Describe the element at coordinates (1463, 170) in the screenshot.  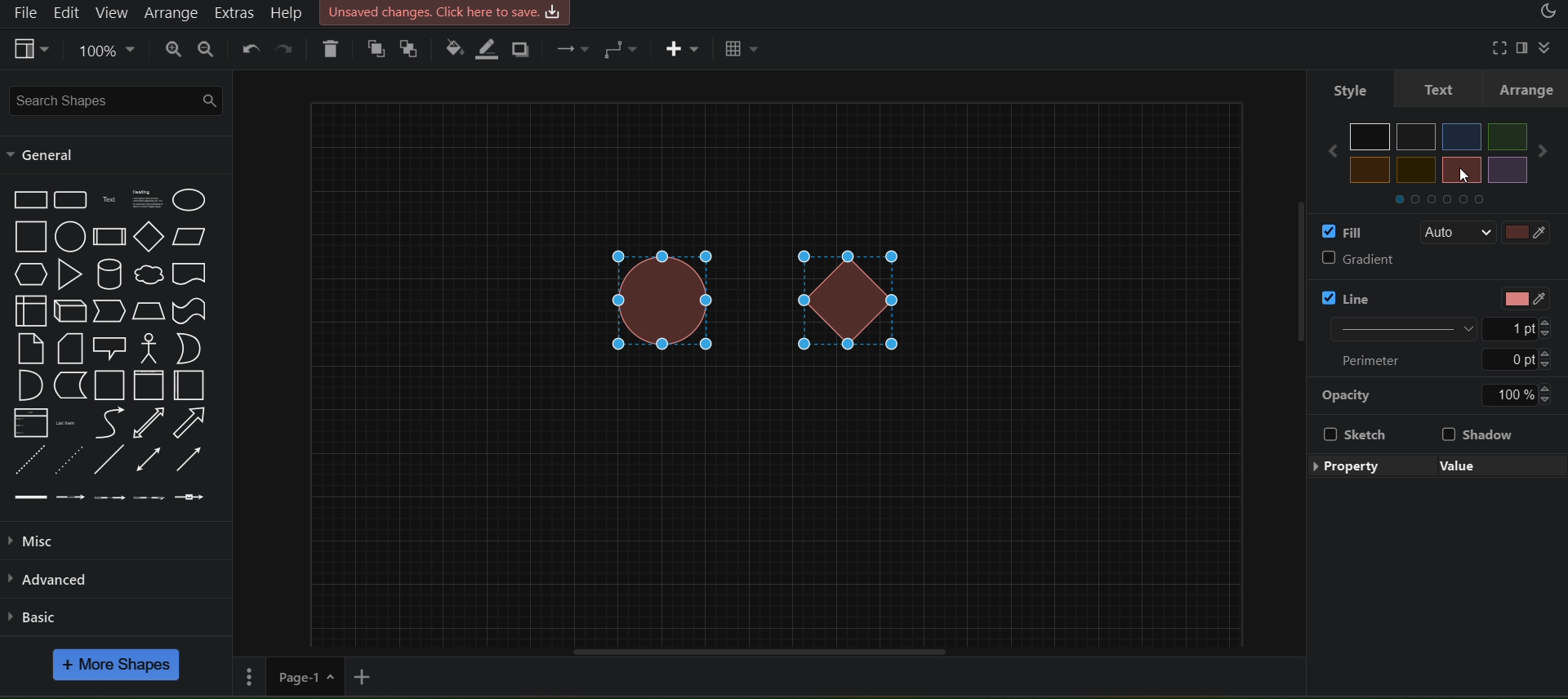
I see `` at that location.